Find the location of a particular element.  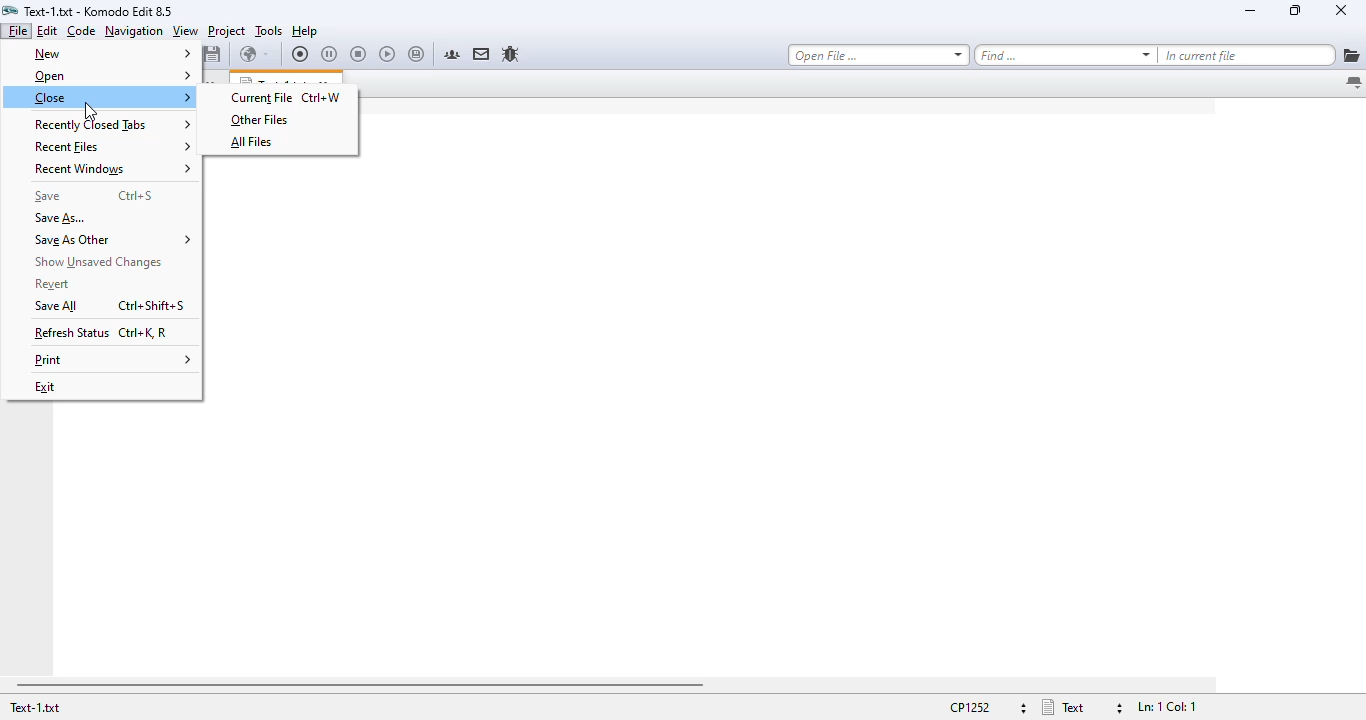

refresh status is located at coordinates (72, 333).